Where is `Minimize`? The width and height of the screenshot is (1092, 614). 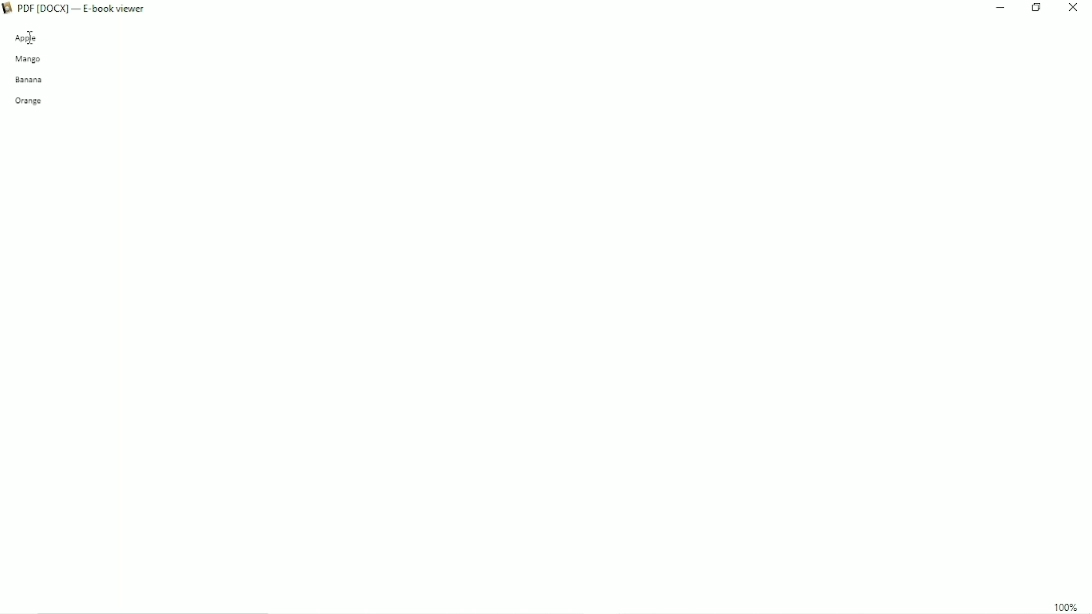
Minimize is located at coordinates (1001, 9).